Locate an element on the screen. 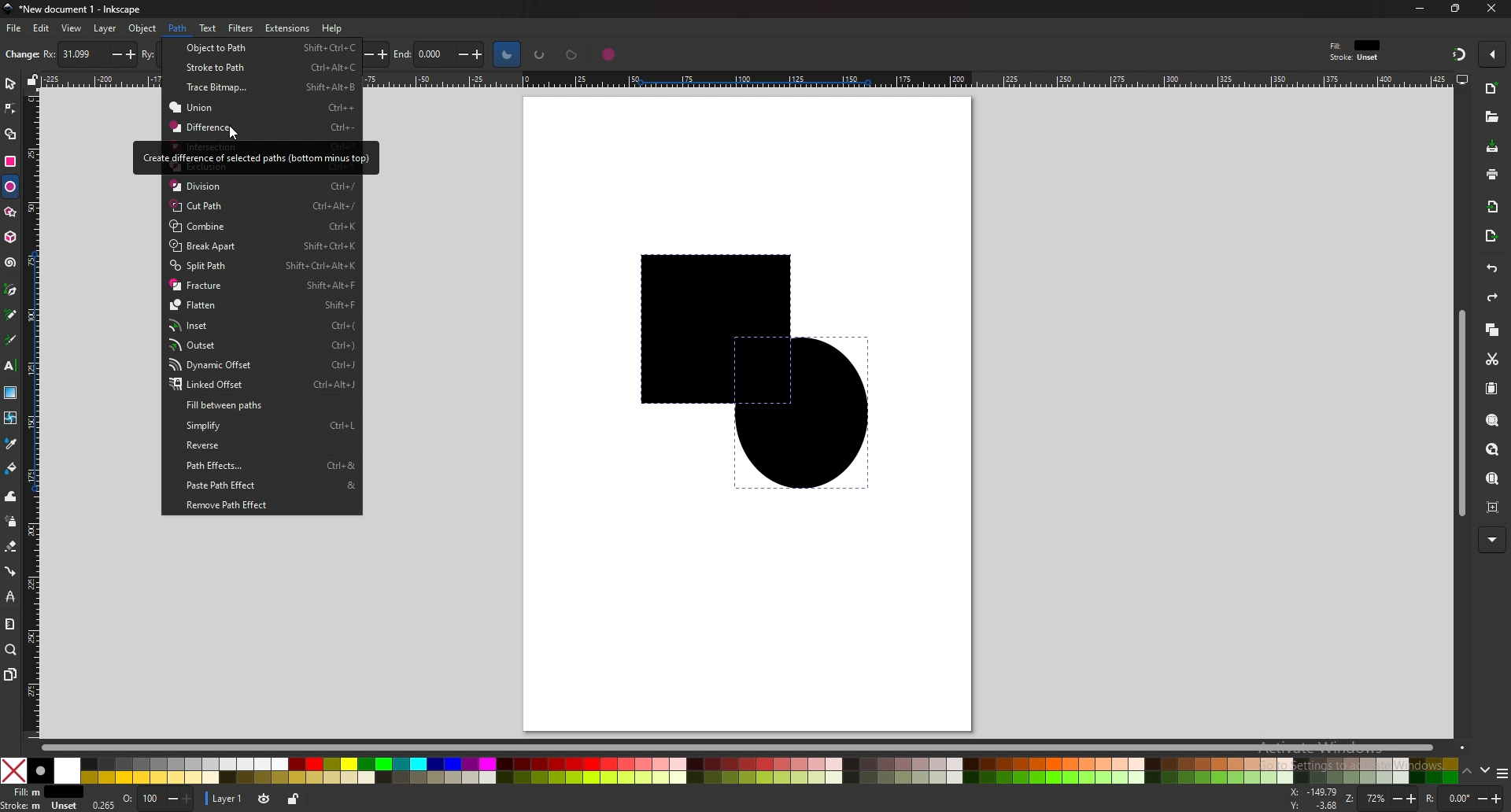  text is located at coordinates (208, 28).